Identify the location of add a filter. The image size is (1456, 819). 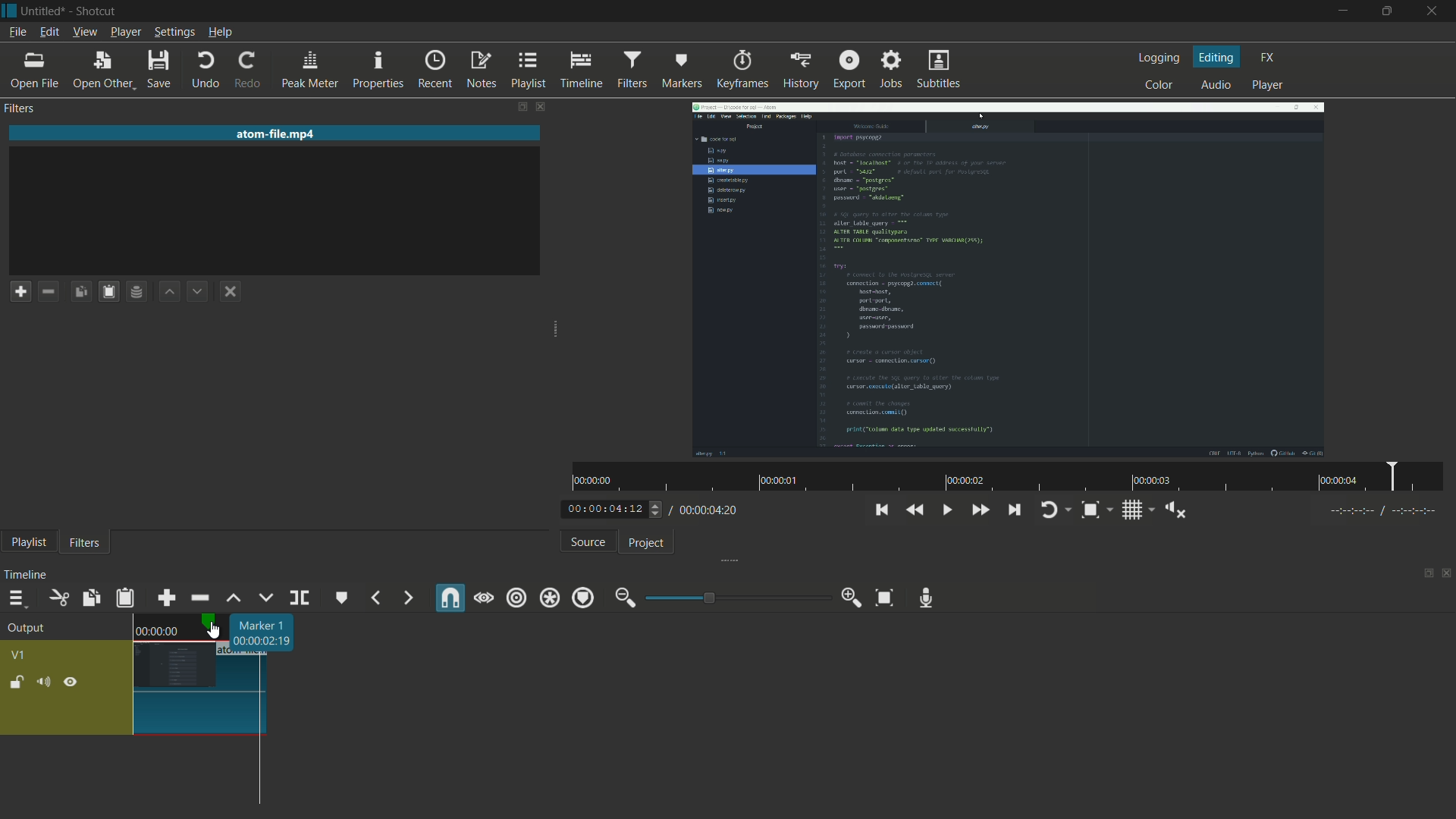
(21, 292).